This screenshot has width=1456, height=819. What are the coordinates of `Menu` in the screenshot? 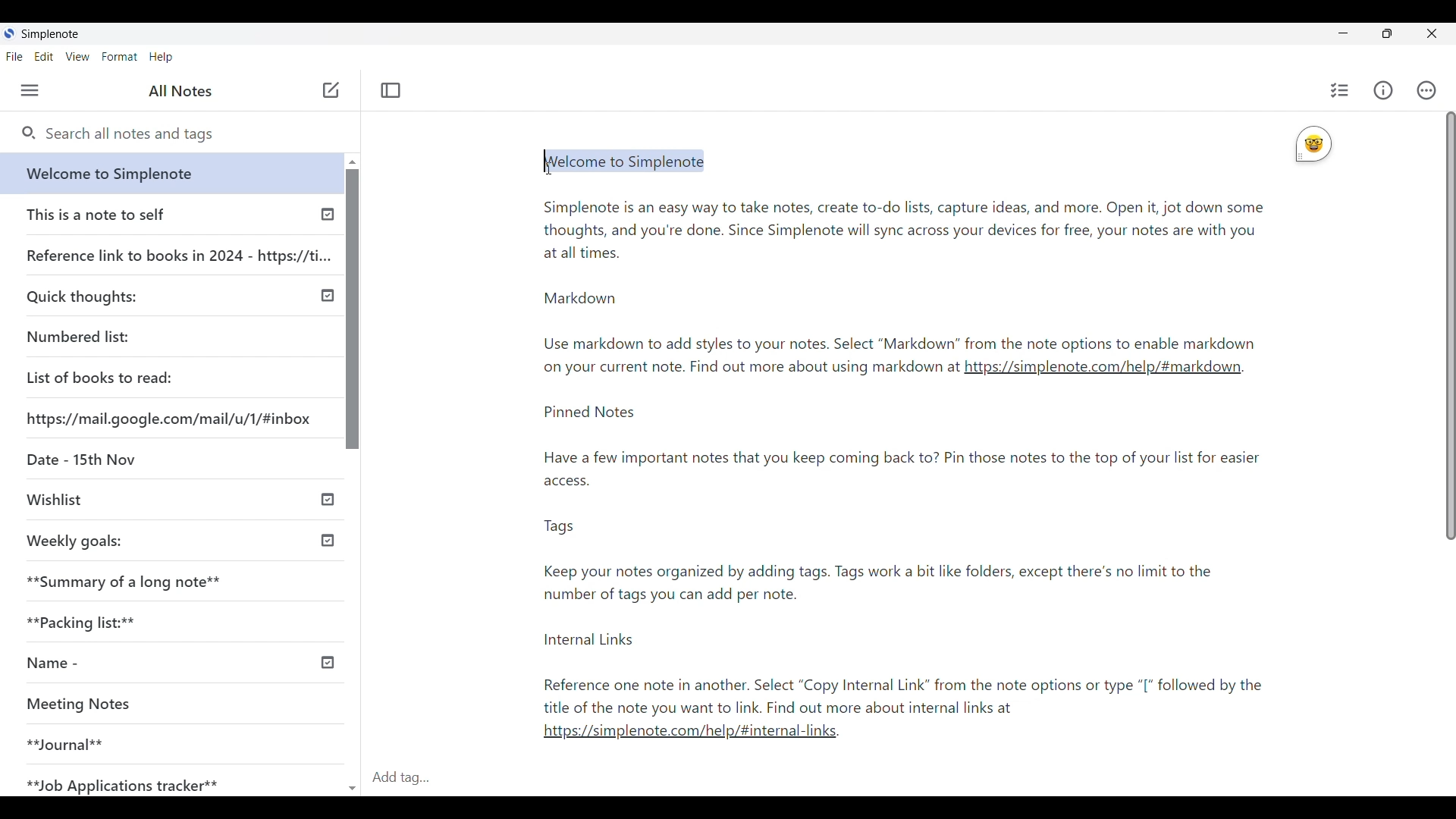 It's located at (30, 90).